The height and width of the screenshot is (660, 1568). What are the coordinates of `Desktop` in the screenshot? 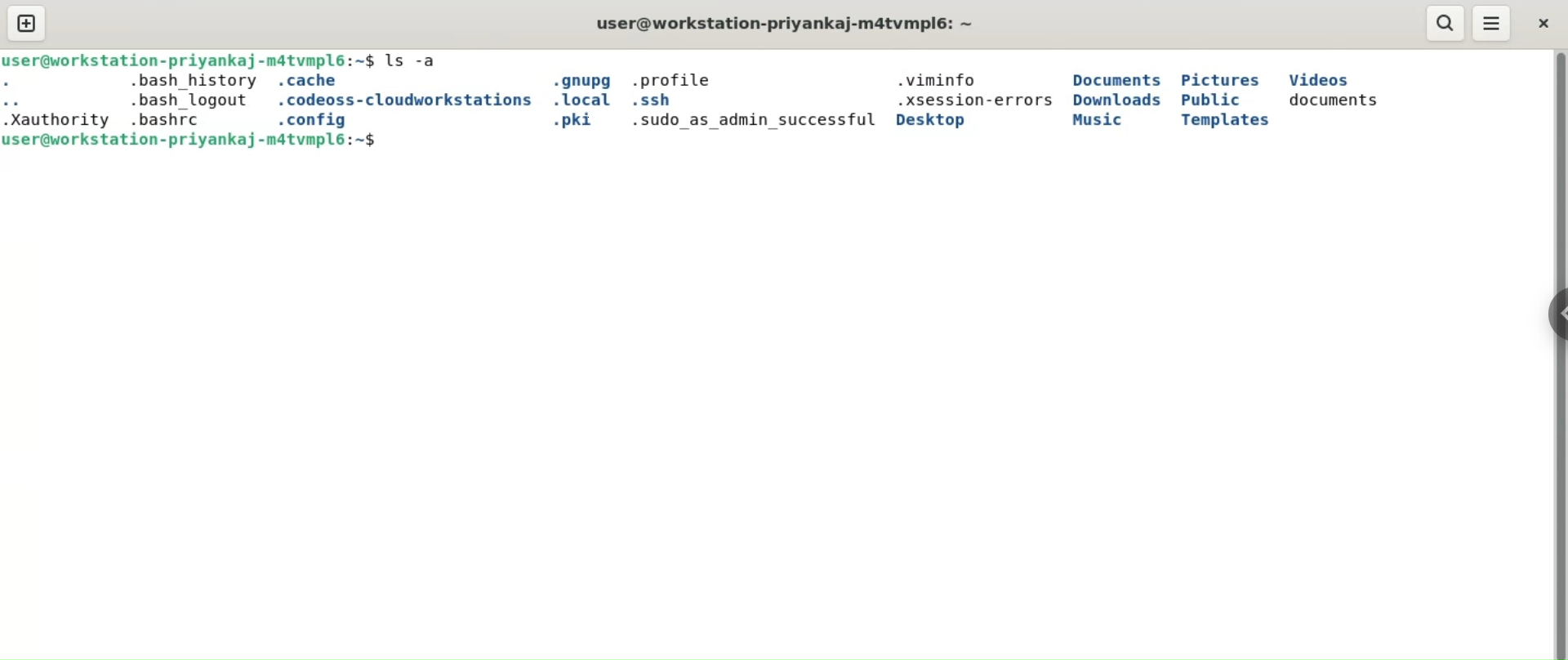 It's located at (949, 120).